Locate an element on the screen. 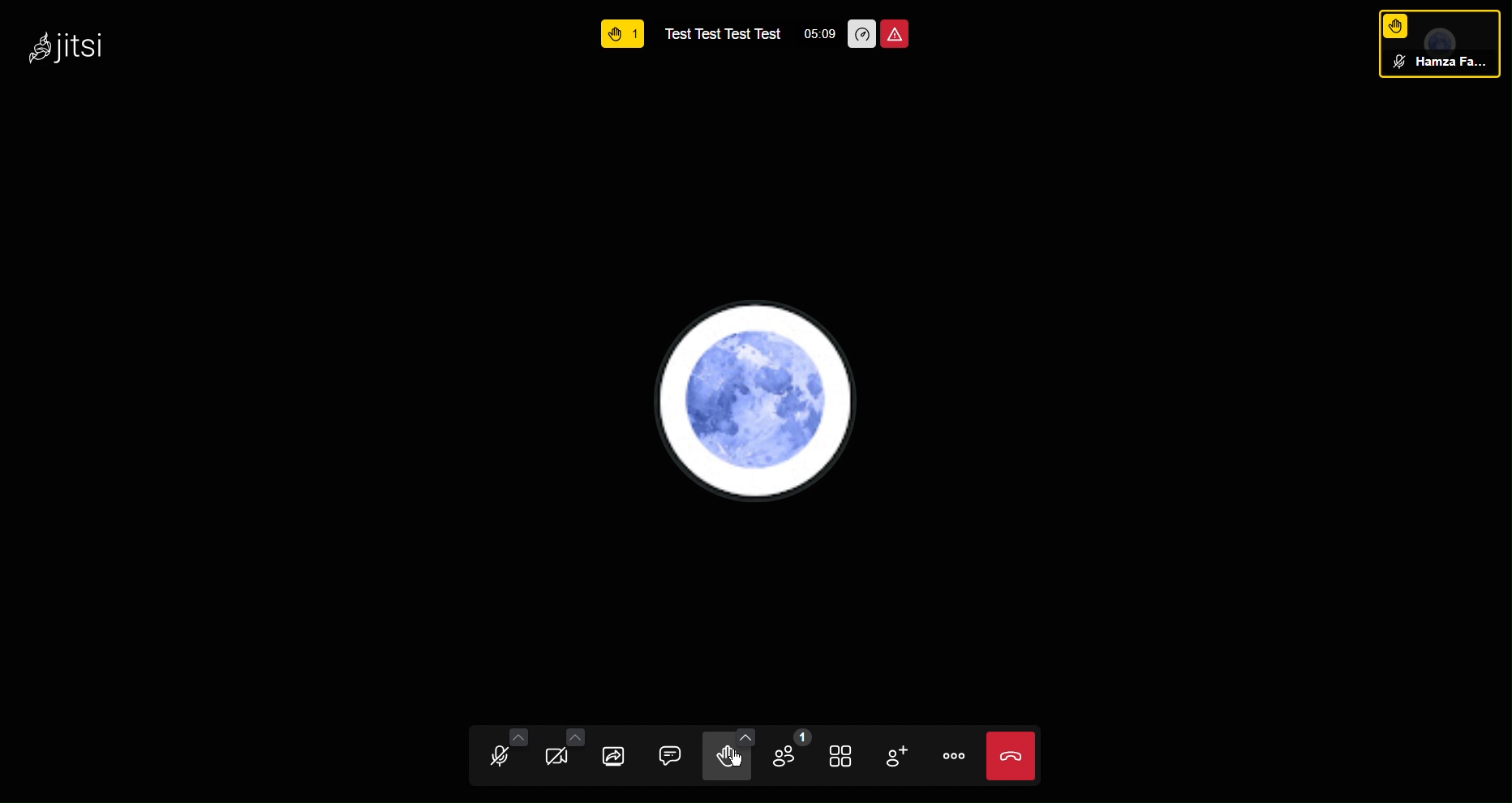 This screenshot has width=1512, height=803. Raised Hand is located at coordinates (622, 28).